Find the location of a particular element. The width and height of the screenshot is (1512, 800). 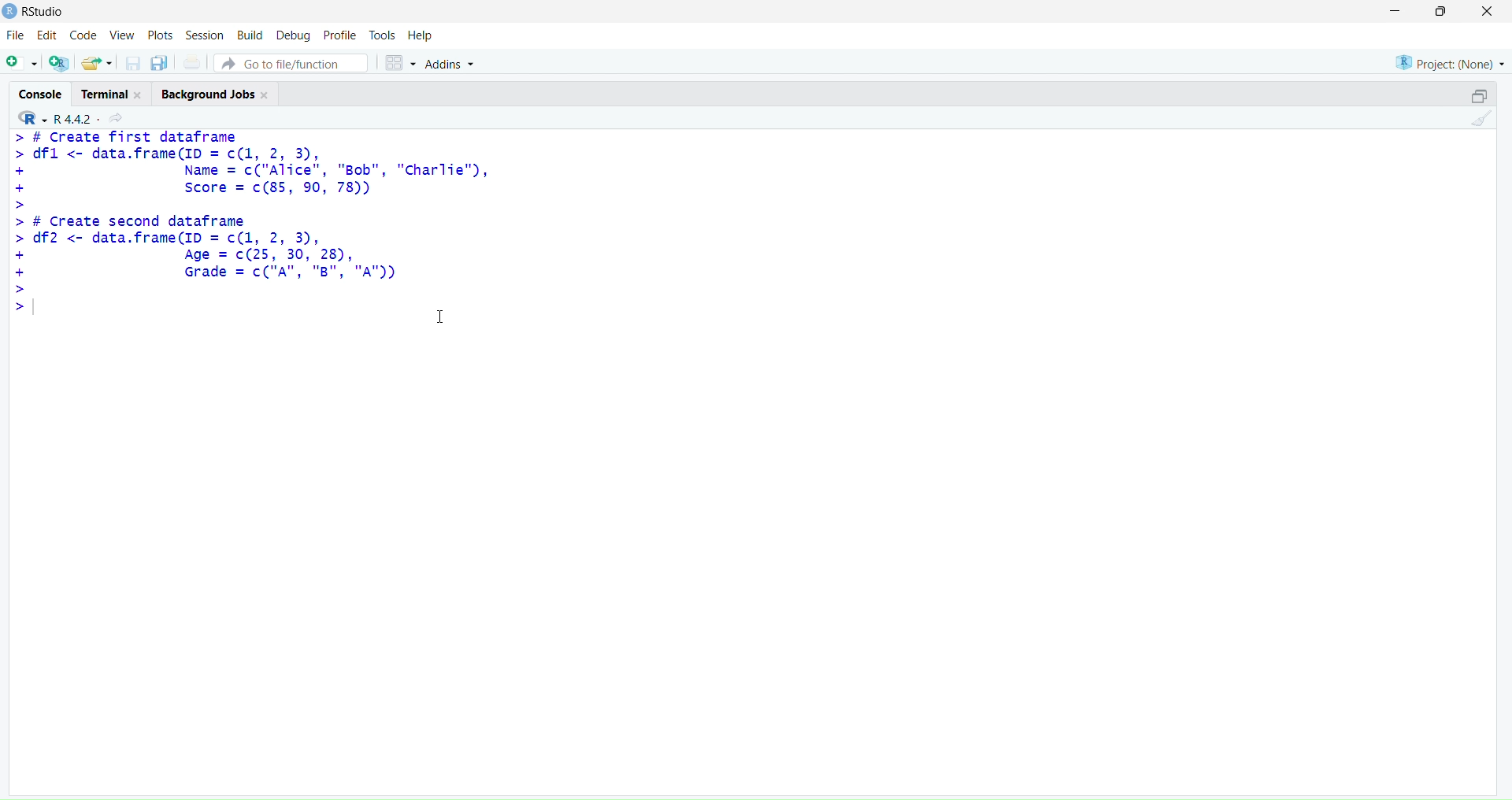

View is located at coordinates (123, 35).